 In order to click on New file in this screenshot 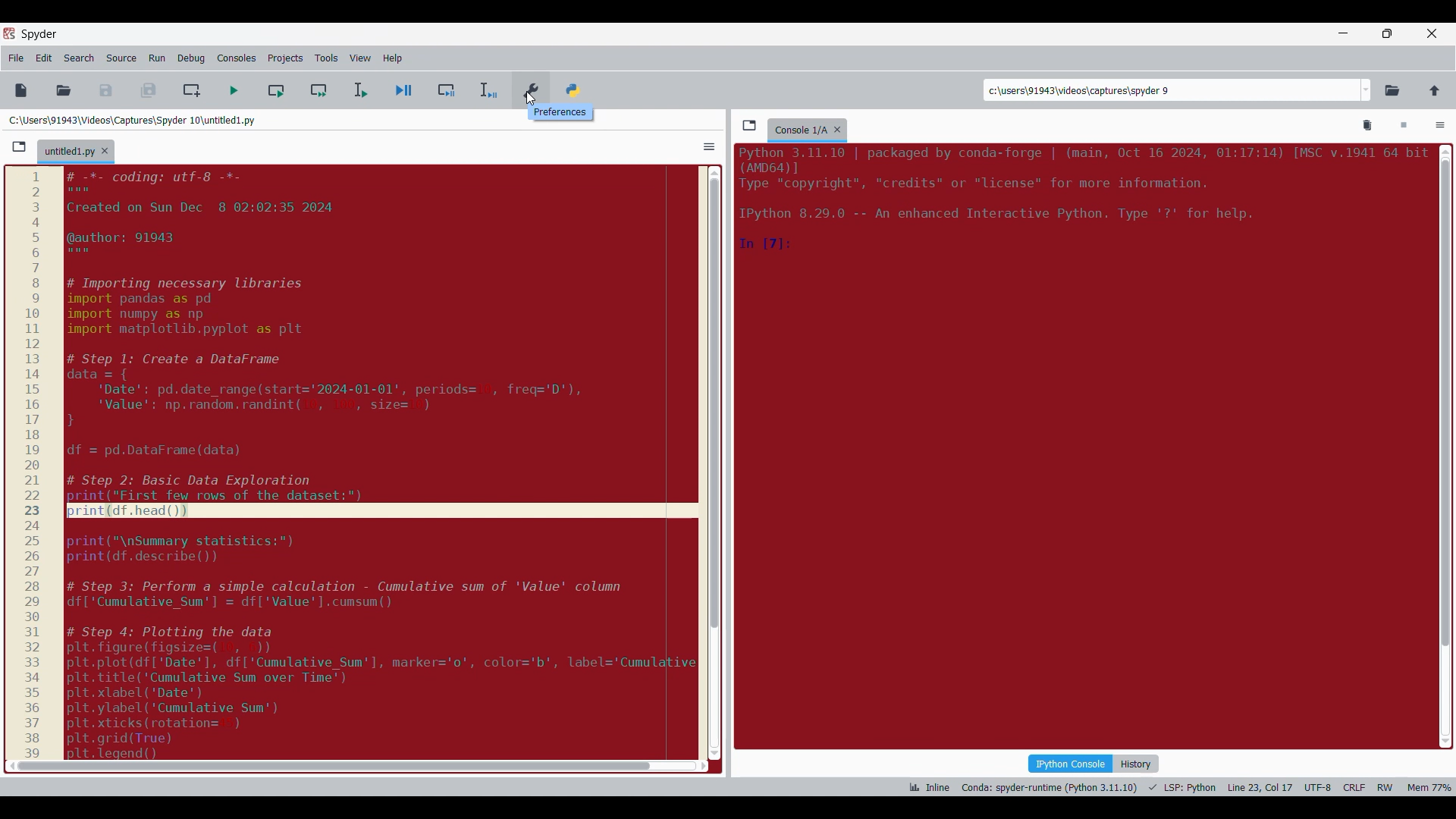, I will do `click(20, 90)`.